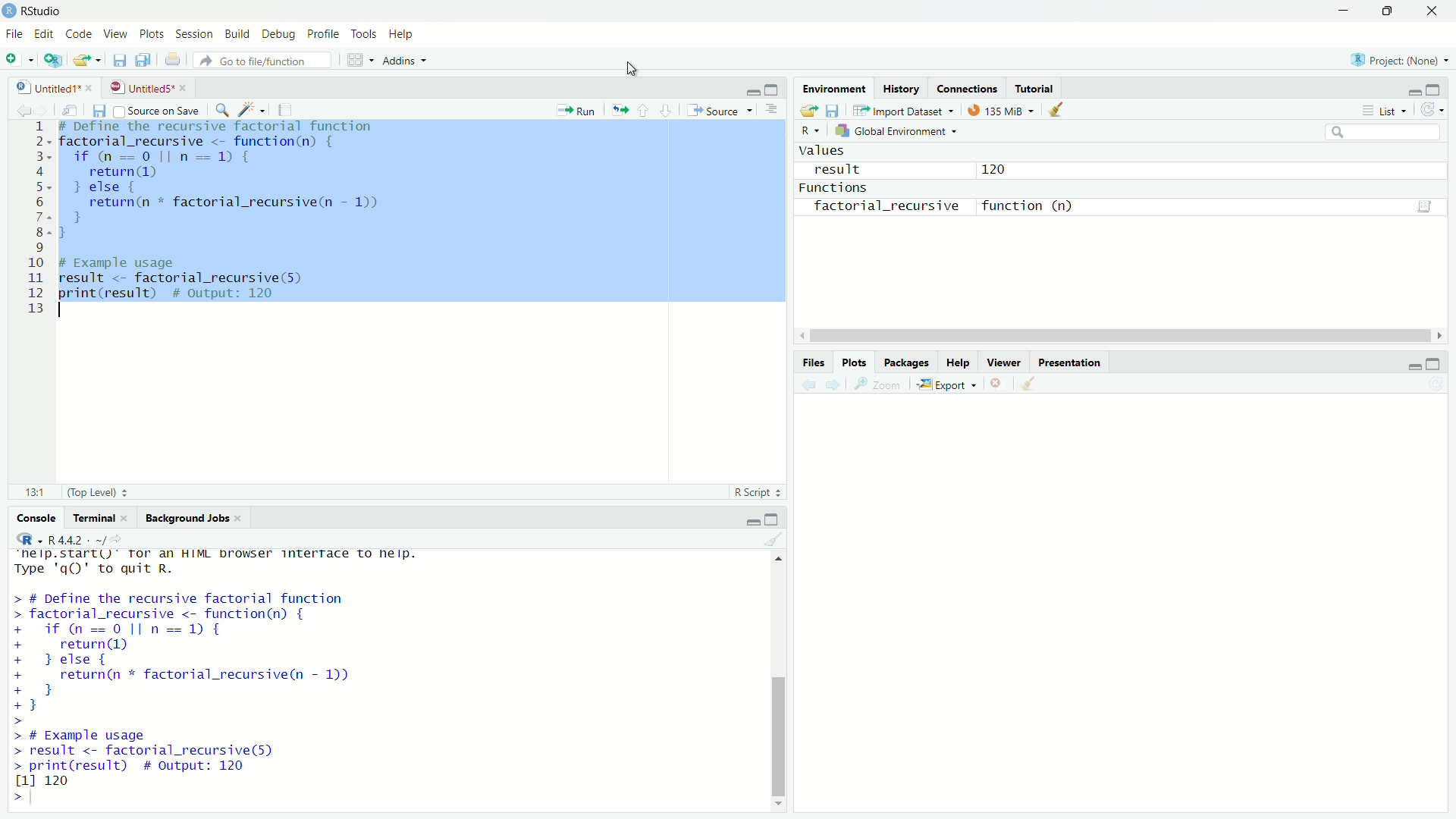 This screenshot has width=1456, height=819. What do you see at coordinates (1061, 108) in the screenshot?
I see `Clear console (Ctrl +L)` at bounding box center [1061, 108].